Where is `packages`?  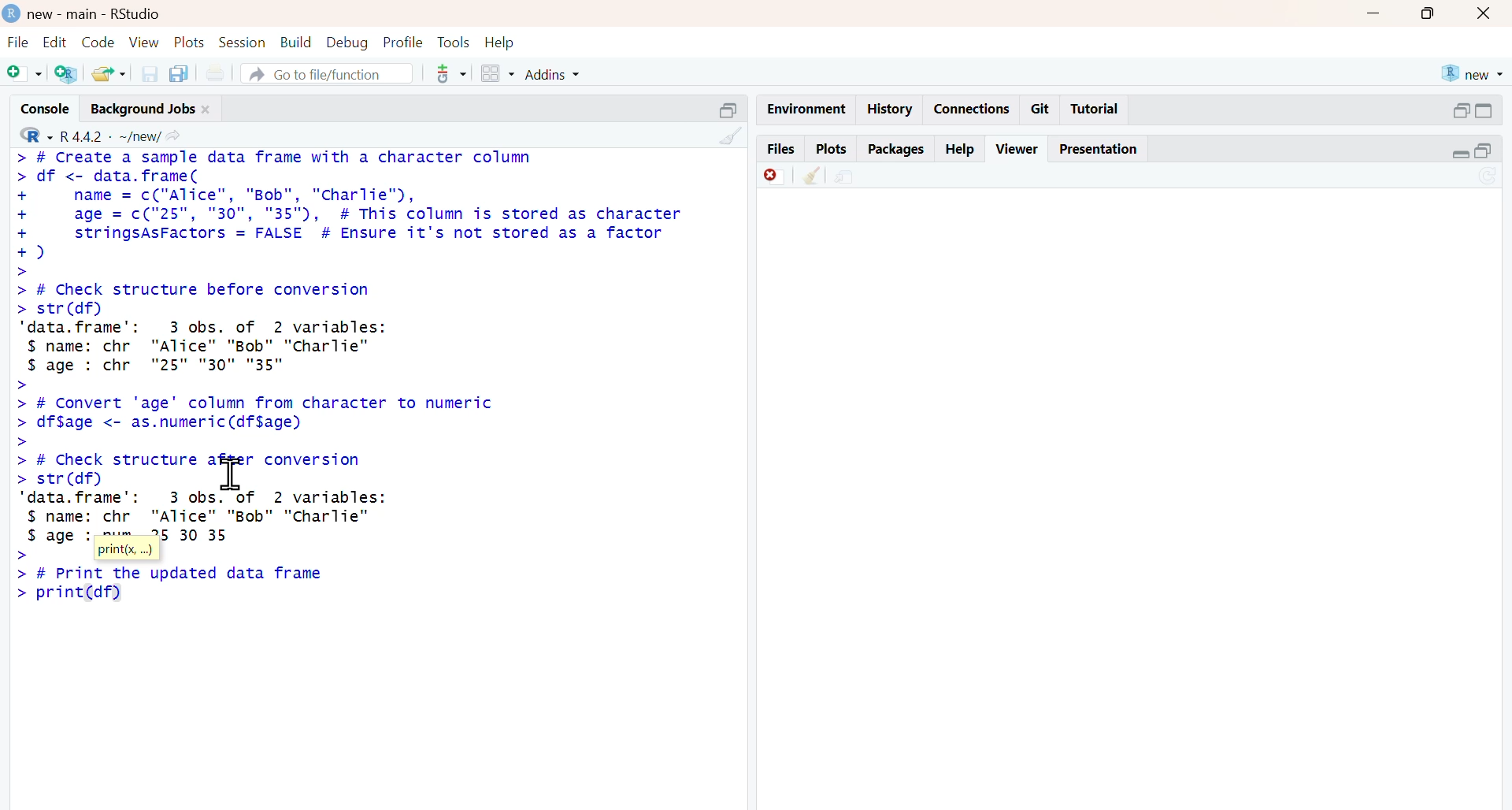 packages is located at coordinates (898, 150).